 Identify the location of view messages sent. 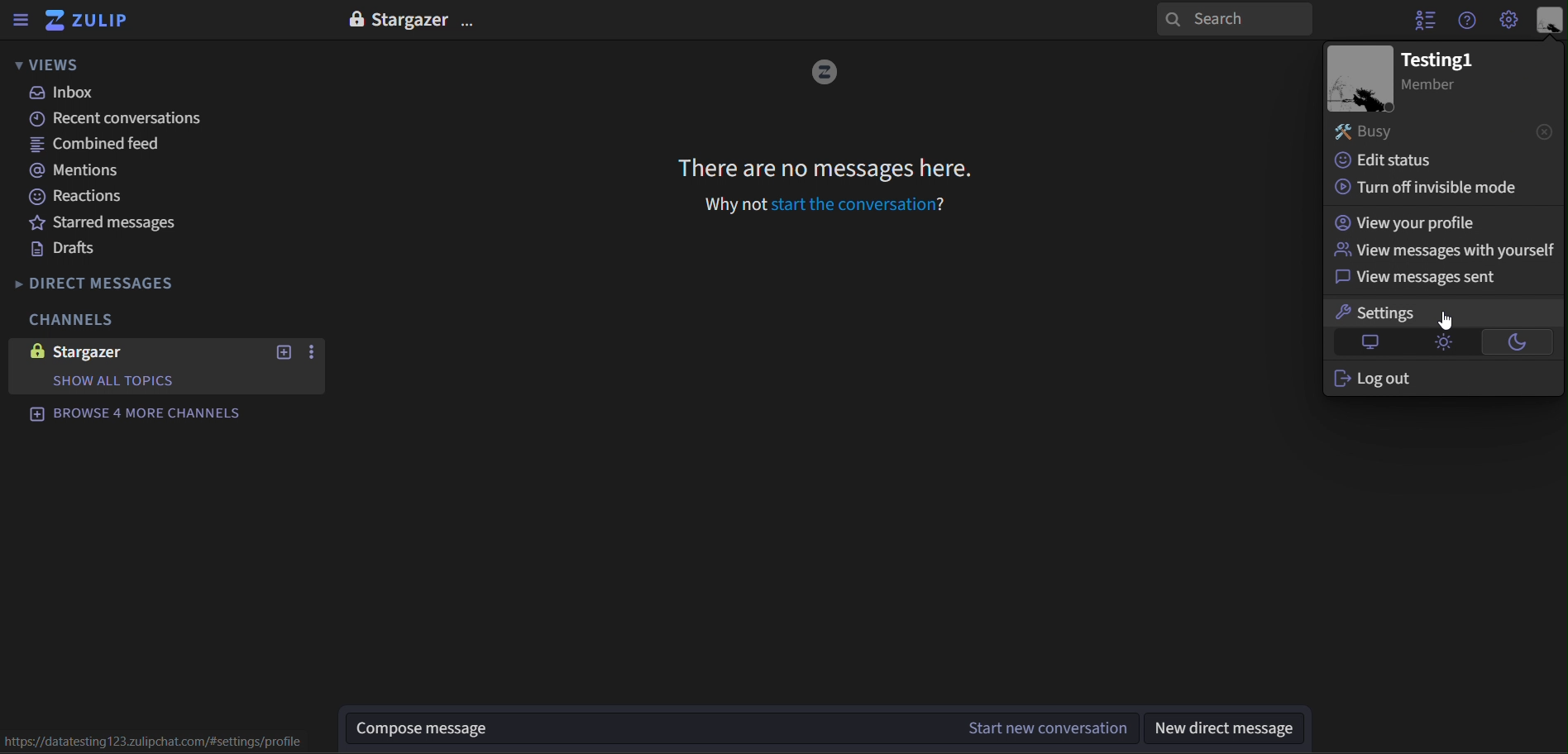
(1423, 276).